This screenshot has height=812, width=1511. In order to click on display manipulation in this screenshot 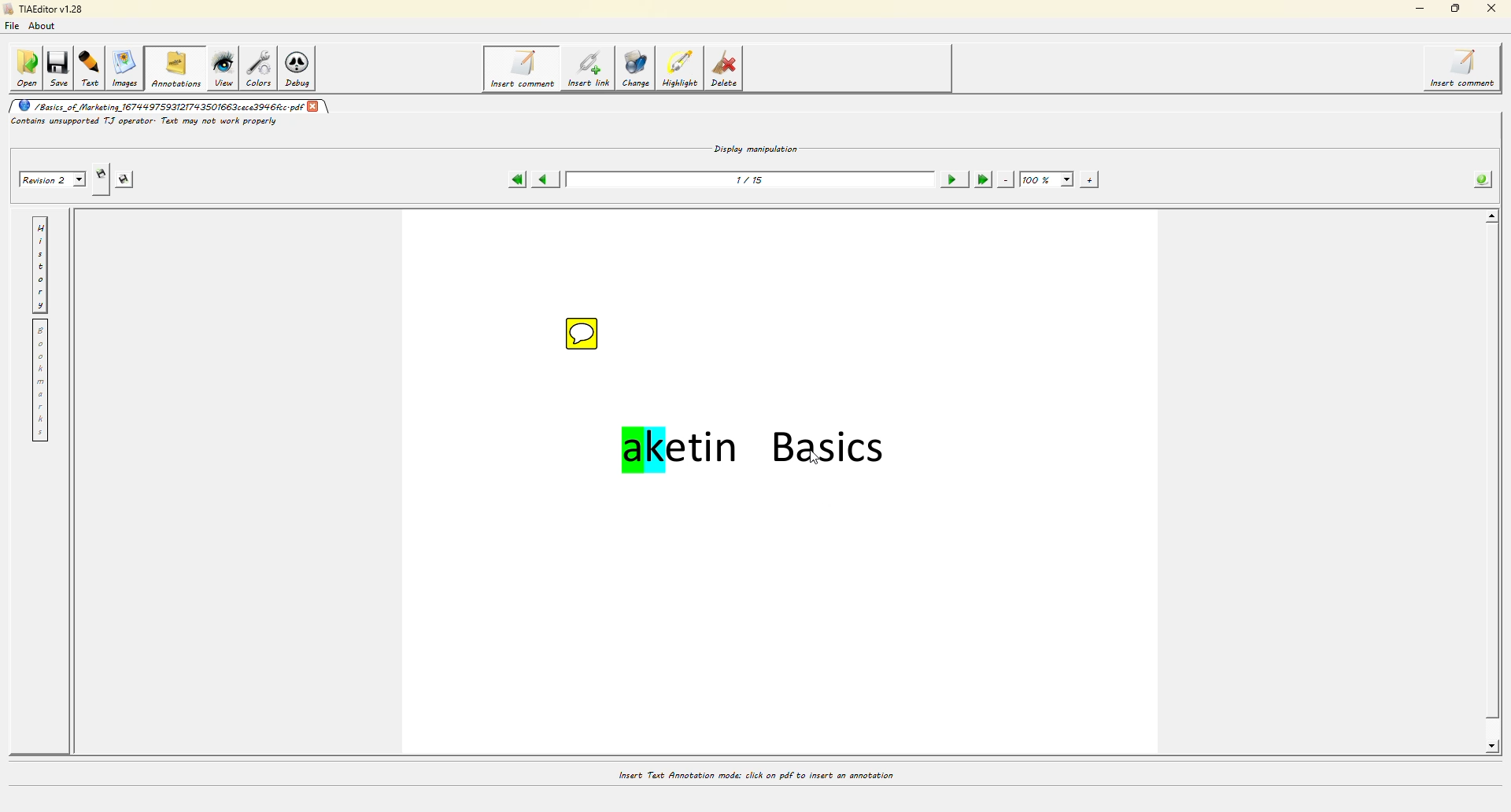, I will do `click(756, 147)`.